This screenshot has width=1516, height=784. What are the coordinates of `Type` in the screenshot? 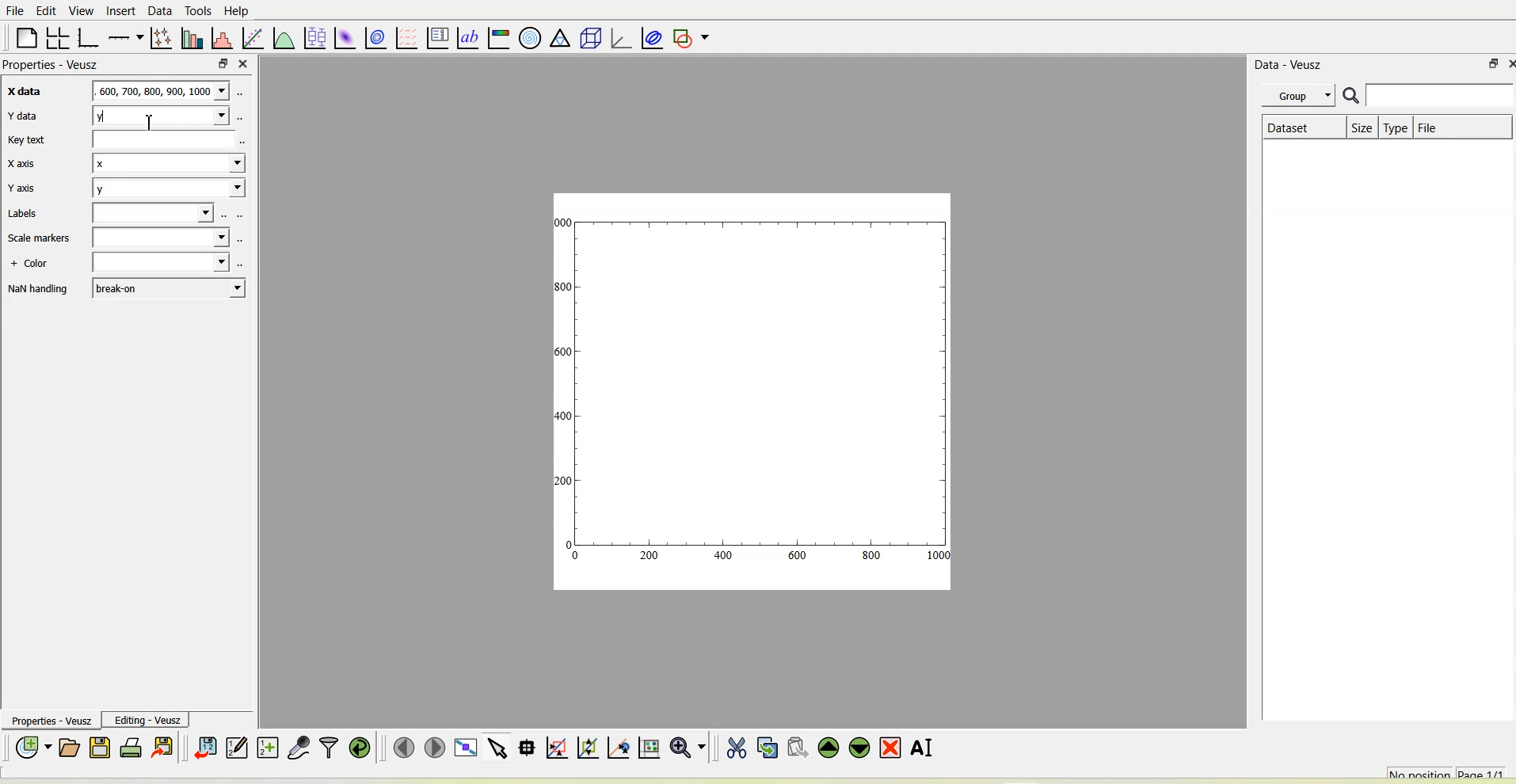 It's located at (1396, 127).